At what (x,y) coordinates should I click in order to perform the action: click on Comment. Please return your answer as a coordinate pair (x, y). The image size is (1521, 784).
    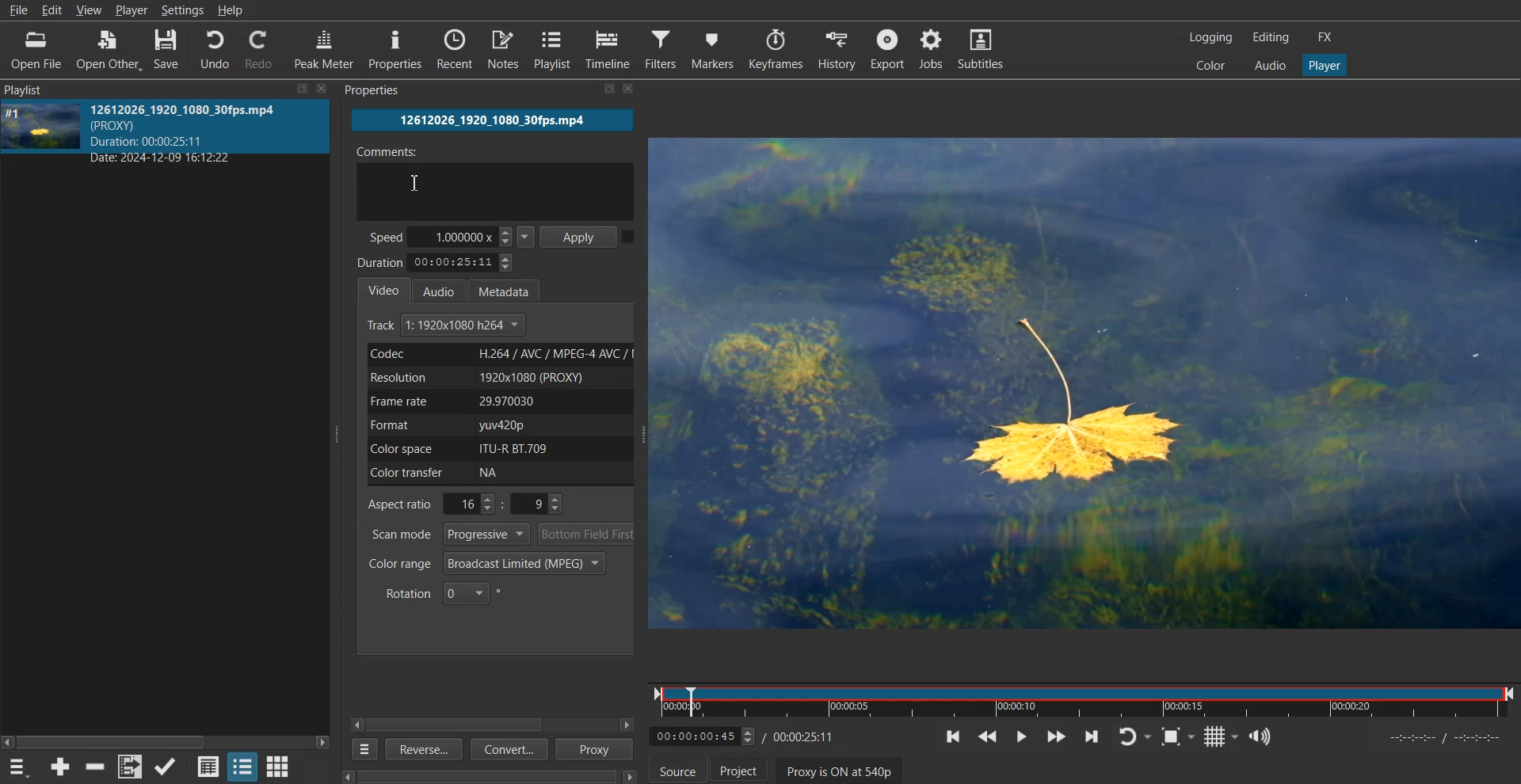
    Looking at the image, I should click on (494, 181).